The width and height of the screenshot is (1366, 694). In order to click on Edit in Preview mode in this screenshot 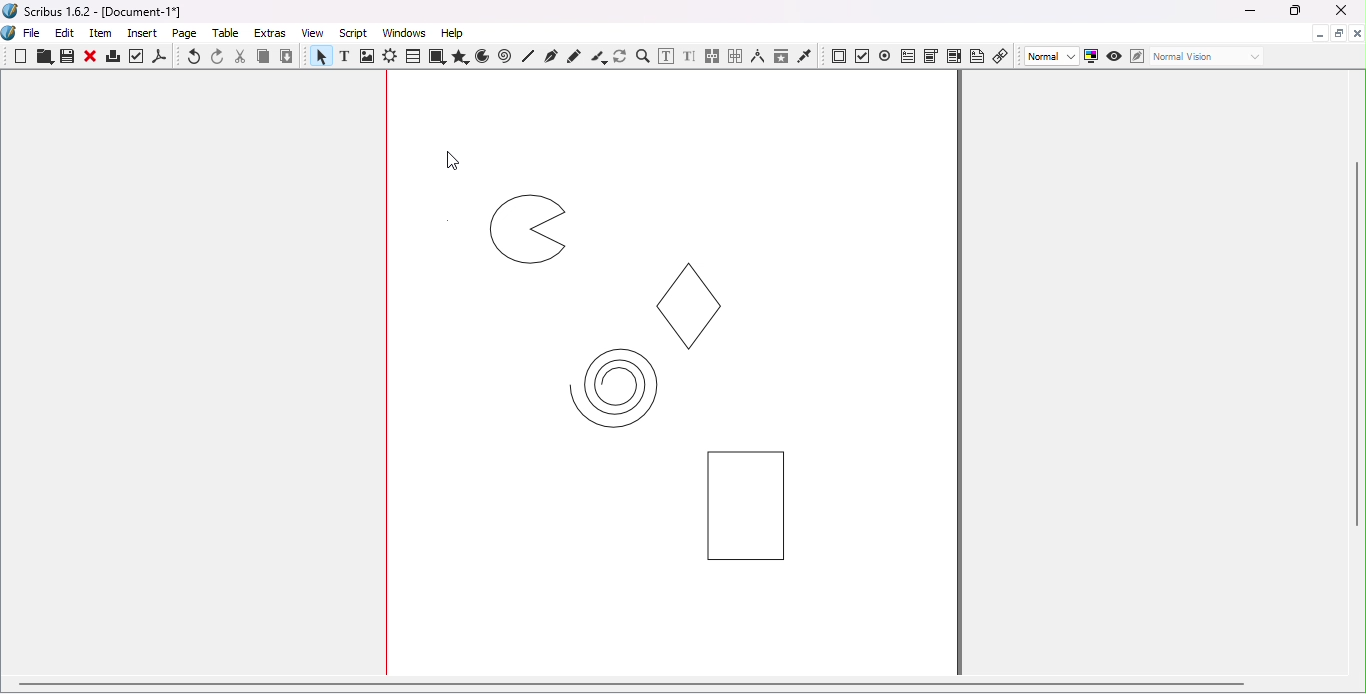, I will do `click(1136, 55)`.